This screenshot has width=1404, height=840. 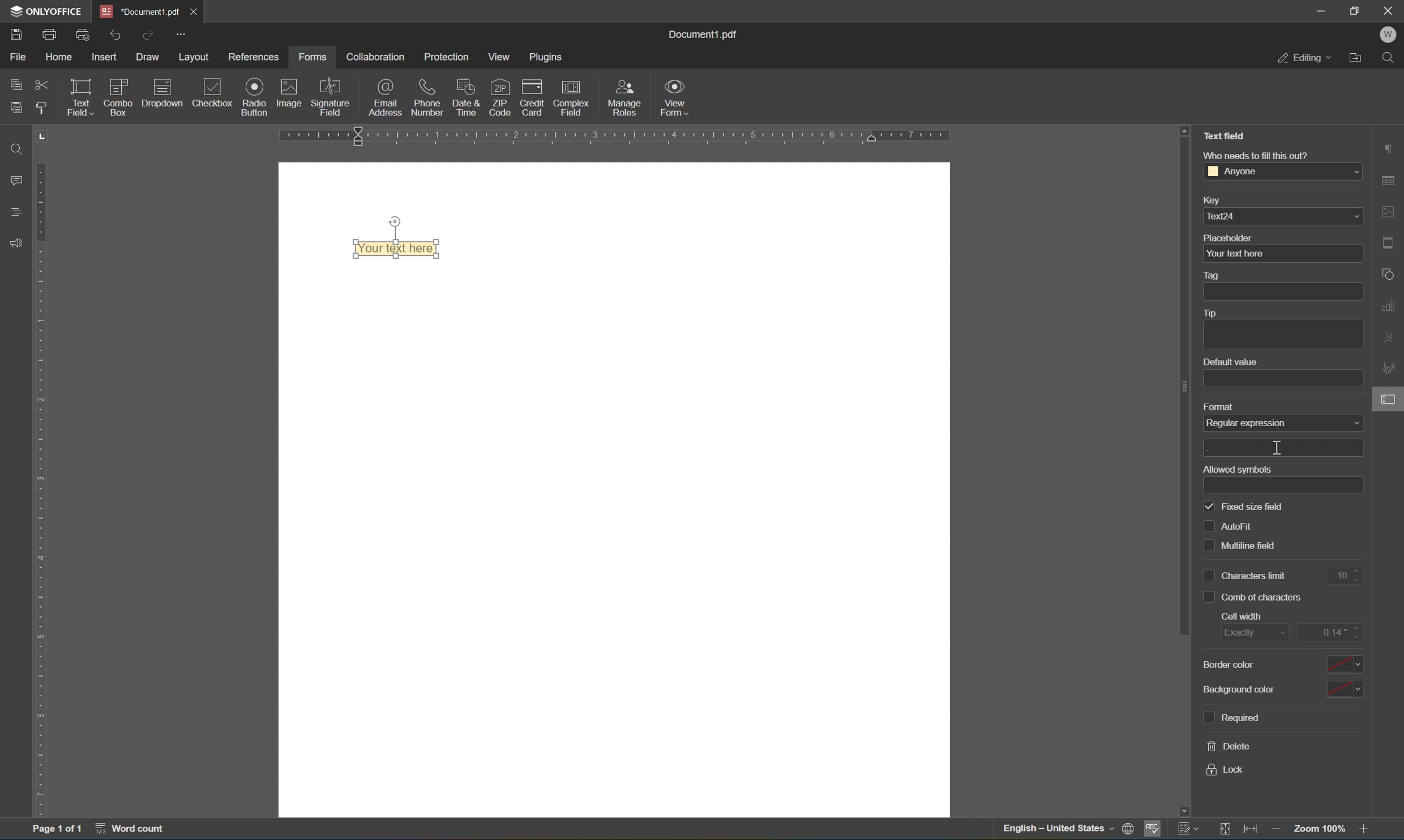 What do you see at coordinates (1283, 170) in the screenshot?
I see `anyone` at bounding box center [1283, 170].